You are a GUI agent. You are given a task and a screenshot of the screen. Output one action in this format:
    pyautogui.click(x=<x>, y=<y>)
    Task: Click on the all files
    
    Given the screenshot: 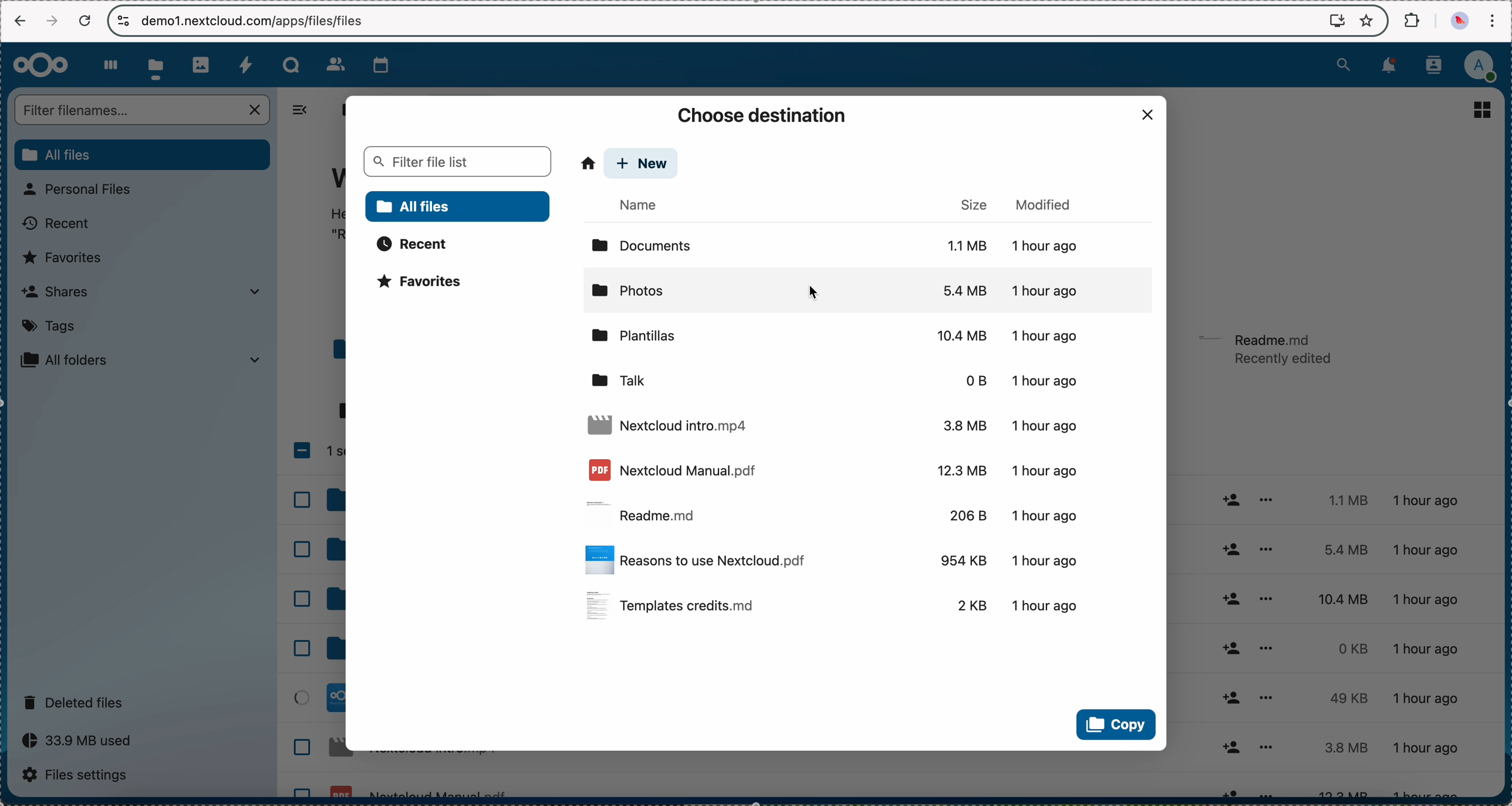 What is the action you would take?
    pyautogui.click(x=458, y=206)
    